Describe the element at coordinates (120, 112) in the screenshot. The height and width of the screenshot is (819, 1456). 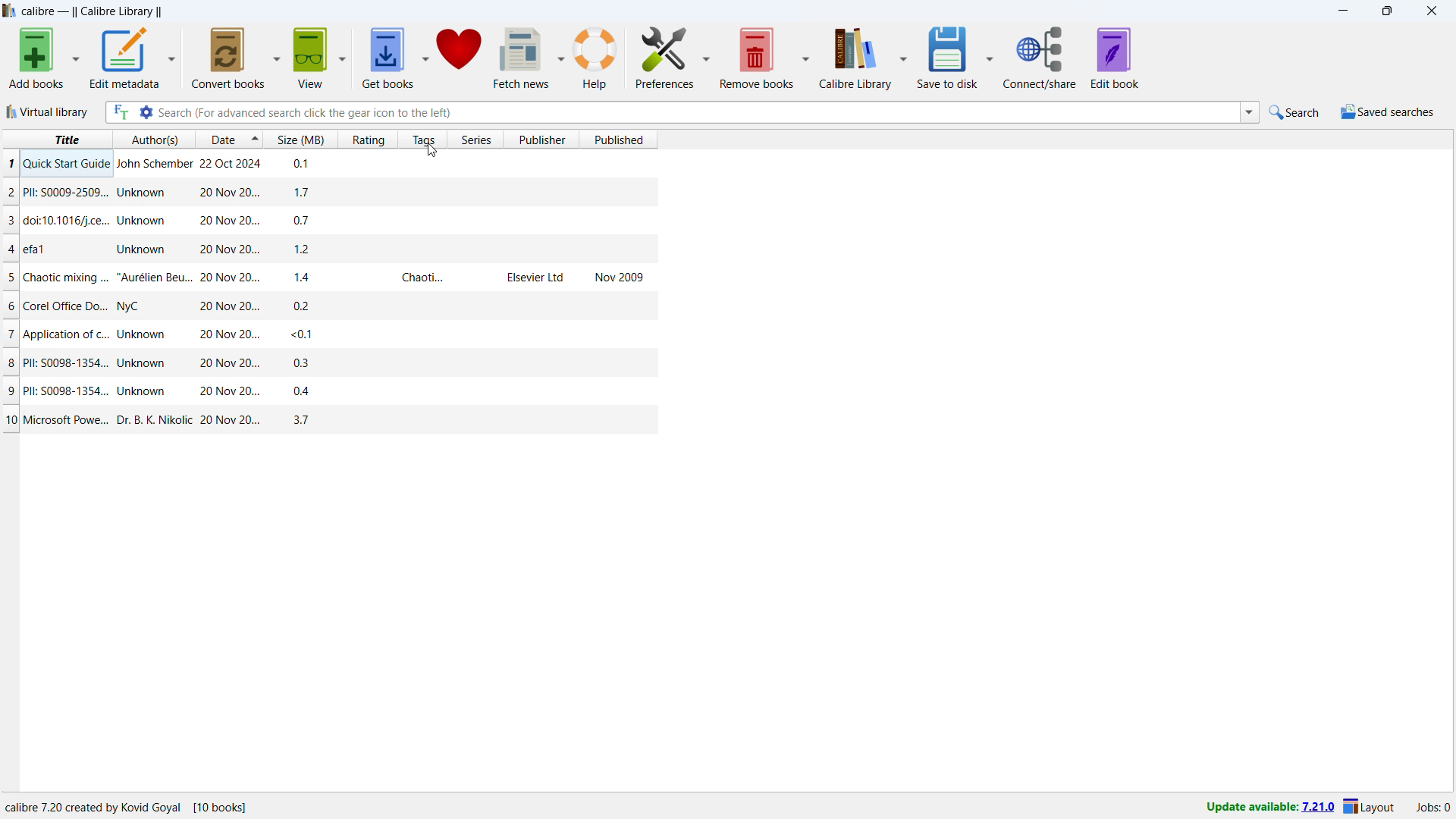
I see `full text search` at that location.